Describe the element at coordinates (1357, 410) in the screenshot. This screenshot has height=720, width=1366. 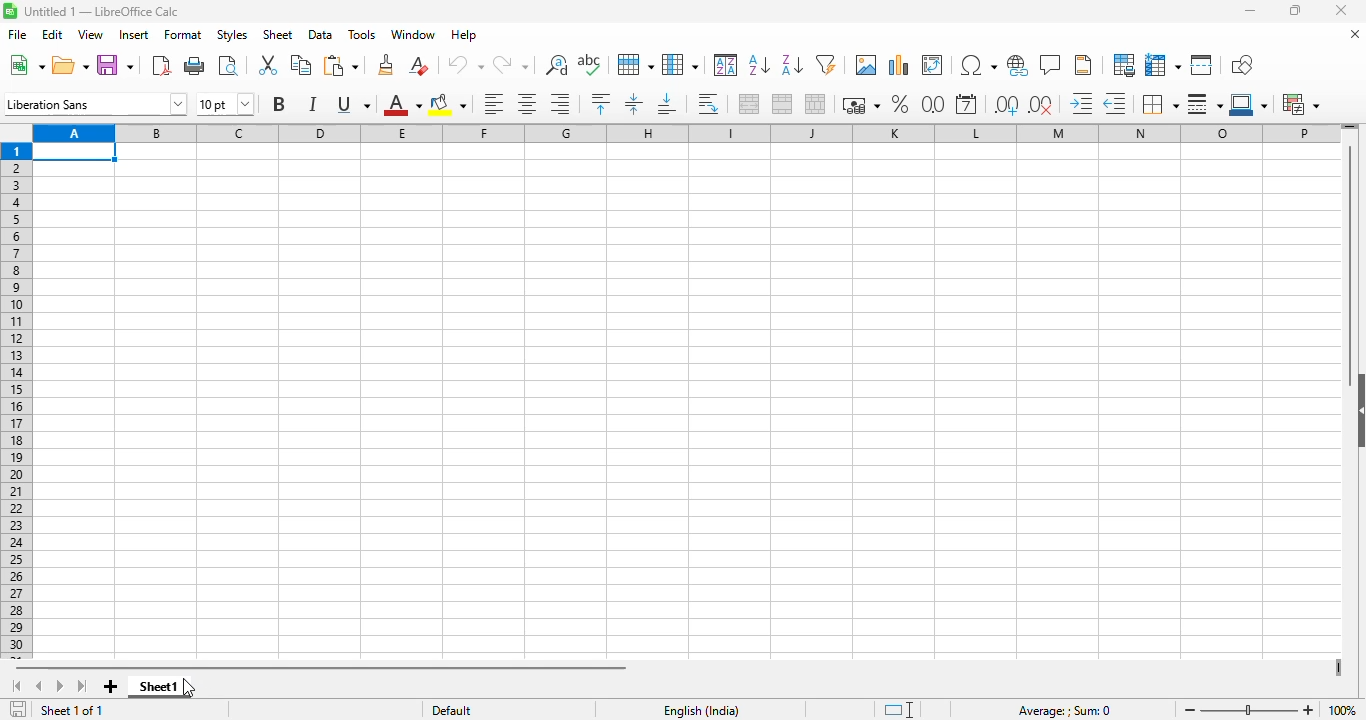
I see `show` at that location.